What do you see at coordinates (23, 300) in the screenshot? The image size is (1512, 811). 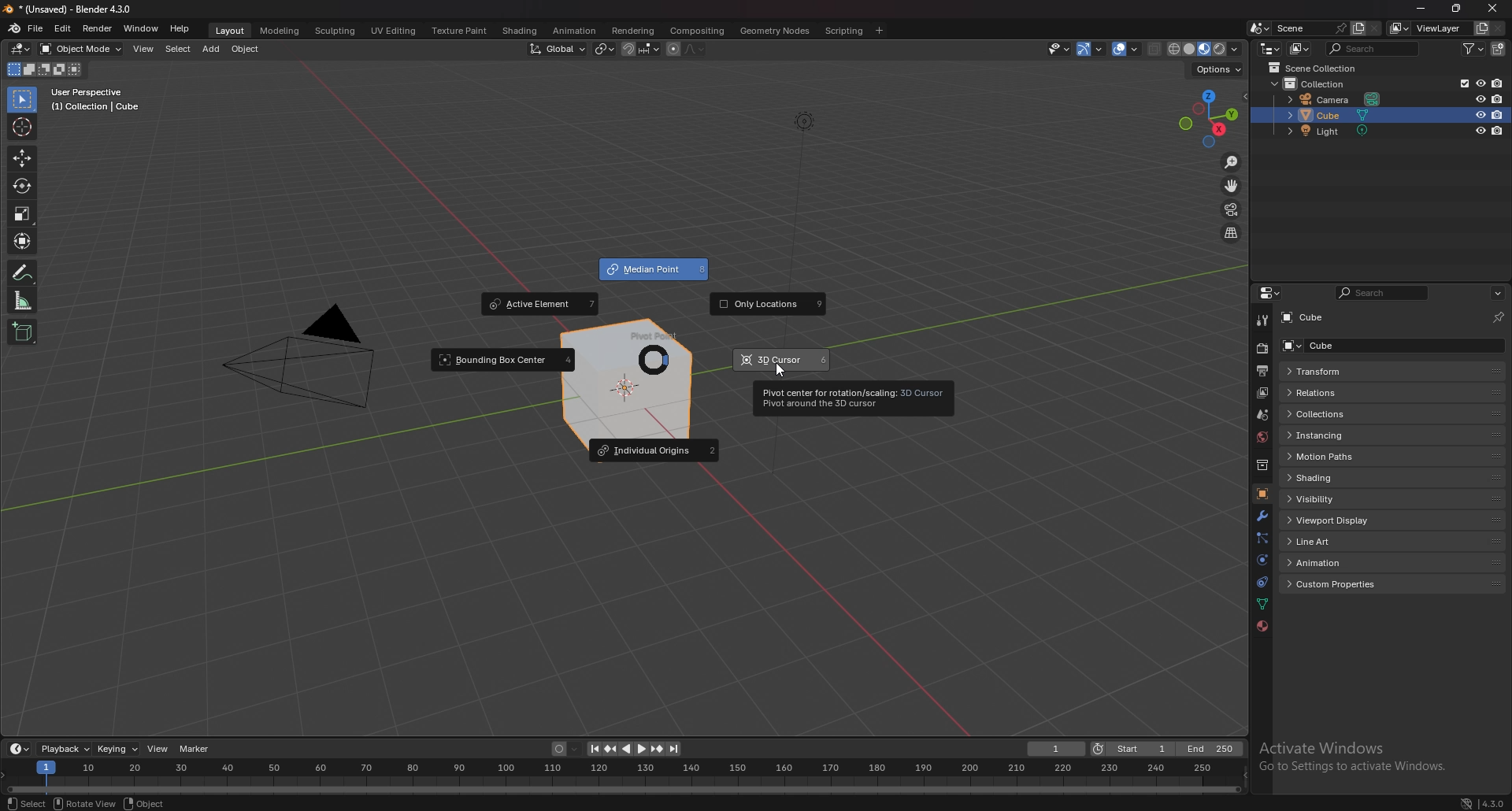 I see `measure` at bounding box center [23, 300].